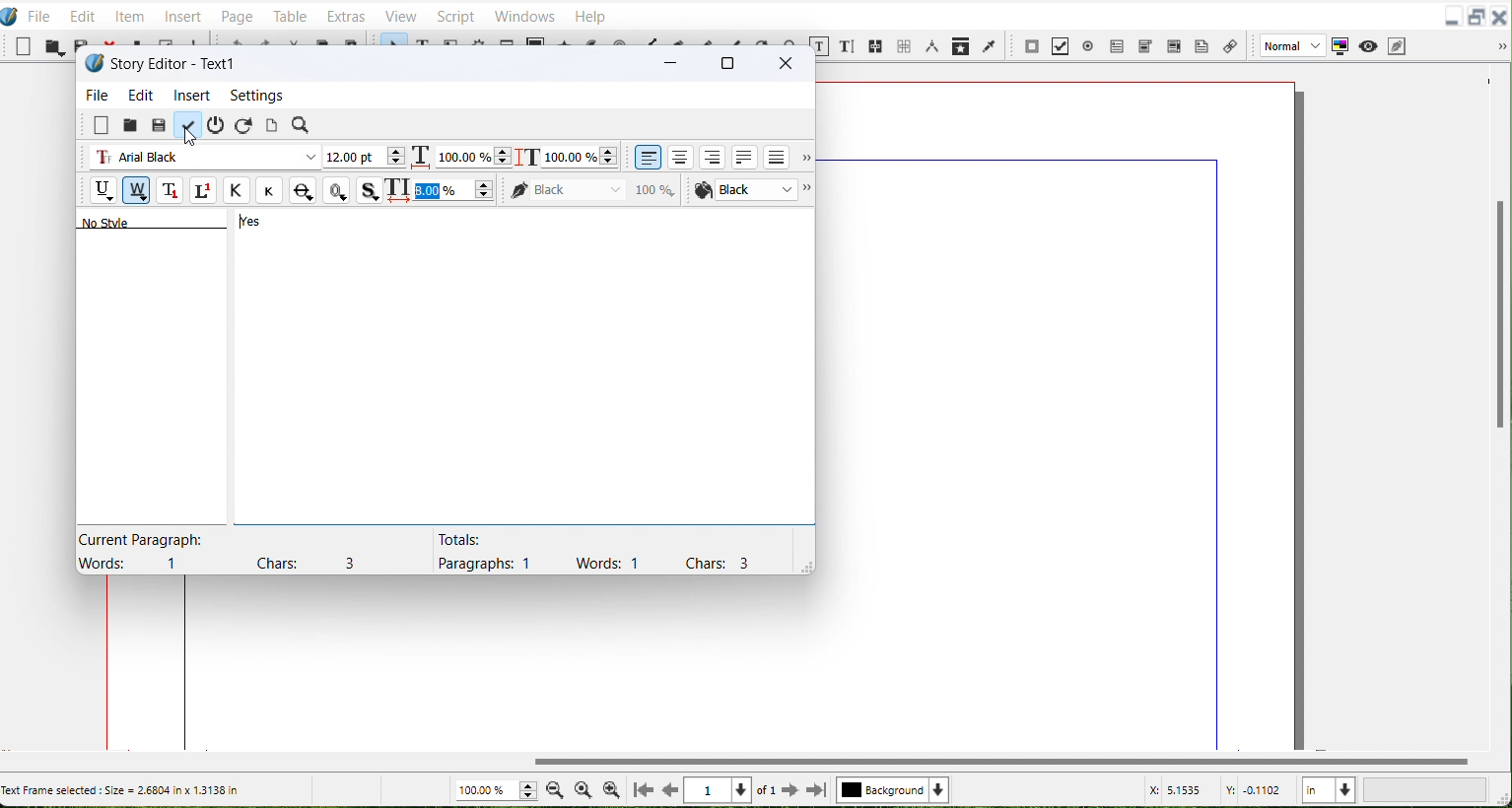  Describe the element at coordinates (337, 190) in the screenshot. I see `Outline` at that location.